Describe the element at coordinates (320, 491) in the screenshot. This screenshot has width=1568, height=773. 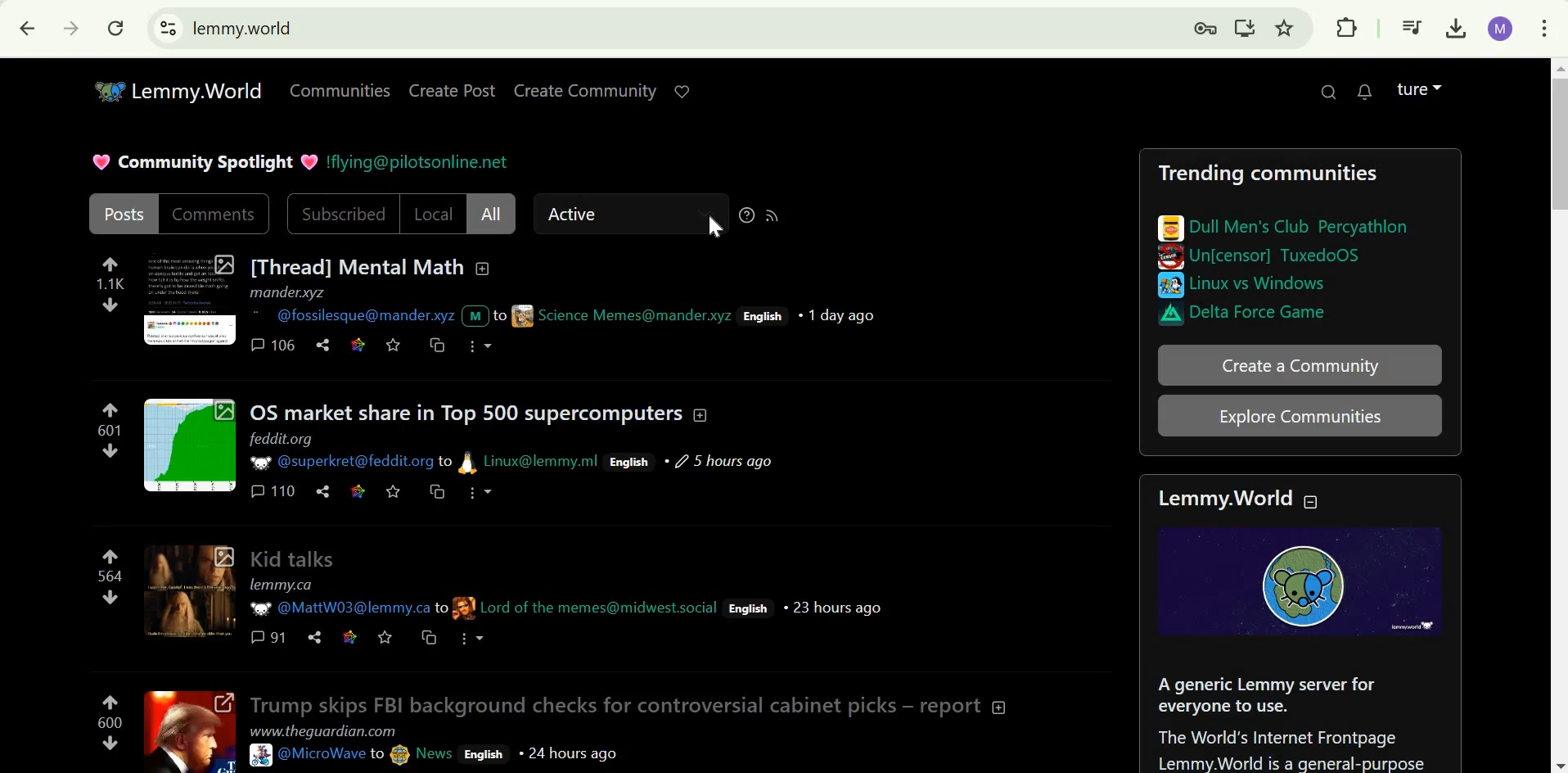
I see `share` at that location.